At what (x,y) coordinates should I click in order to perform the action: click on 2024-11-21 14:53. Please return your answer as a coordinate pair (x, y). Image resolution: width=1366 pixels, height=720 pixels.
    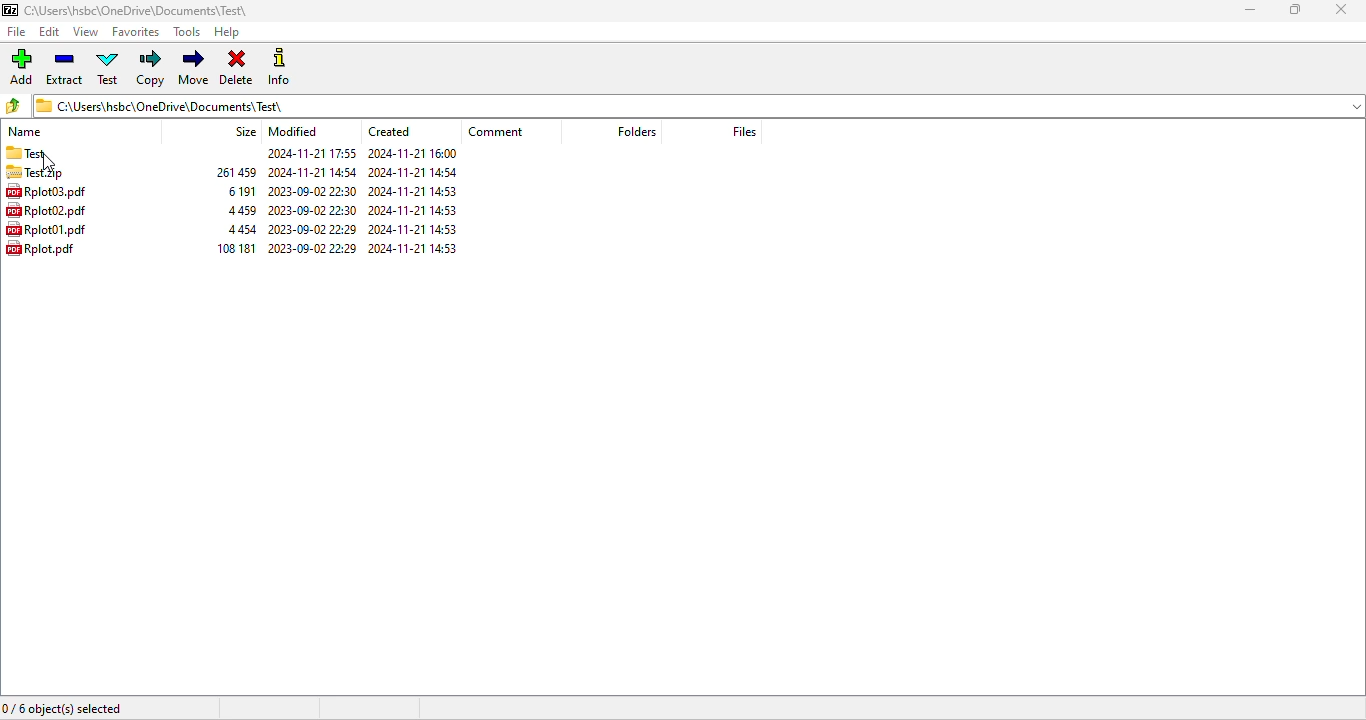
    Looking at the image, I should click on (418, 190).